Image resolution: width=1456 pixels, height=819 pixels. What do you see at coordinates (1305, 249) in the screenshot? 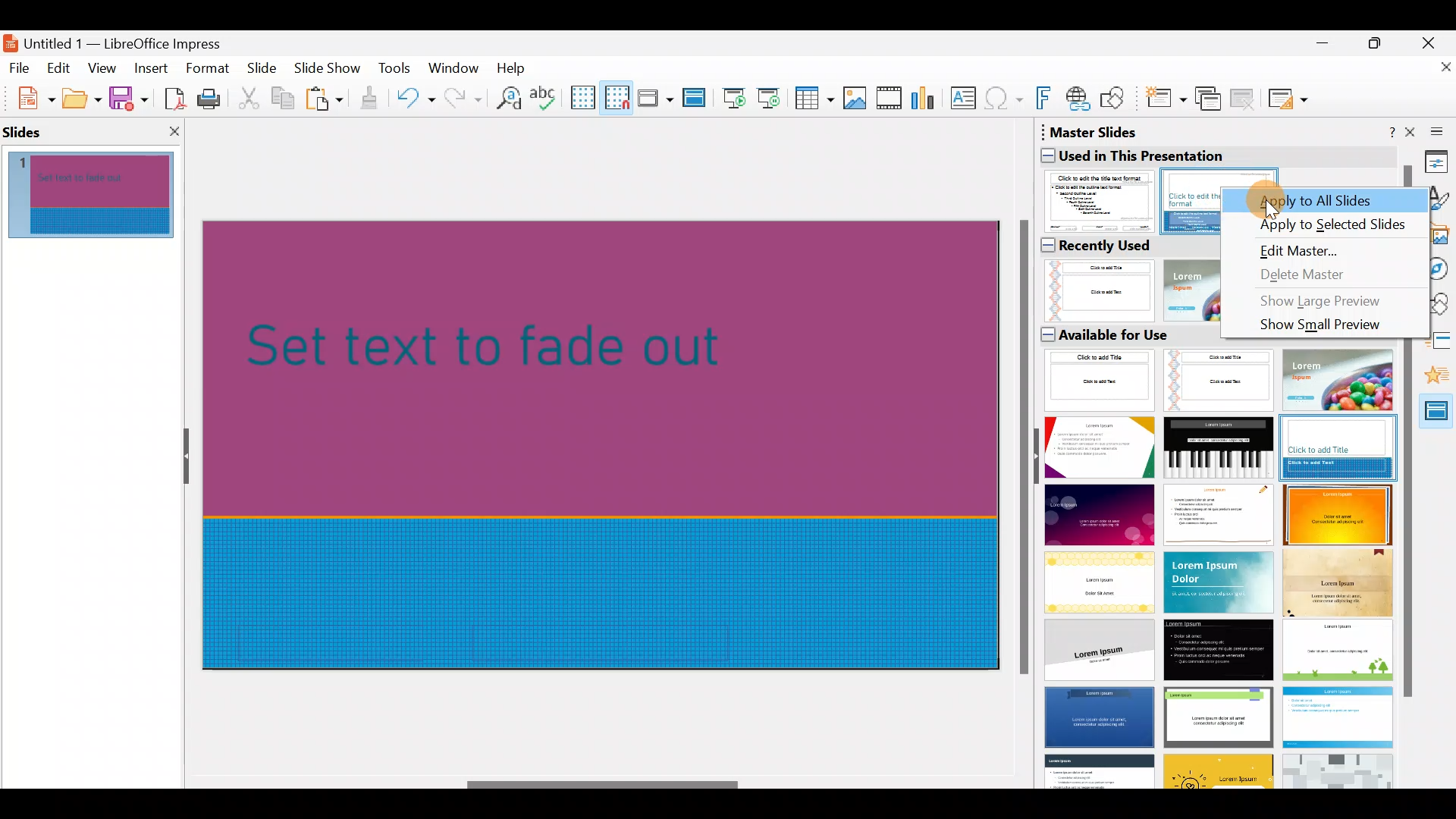
I see `Edit master` at bounding box center [1305, 249].